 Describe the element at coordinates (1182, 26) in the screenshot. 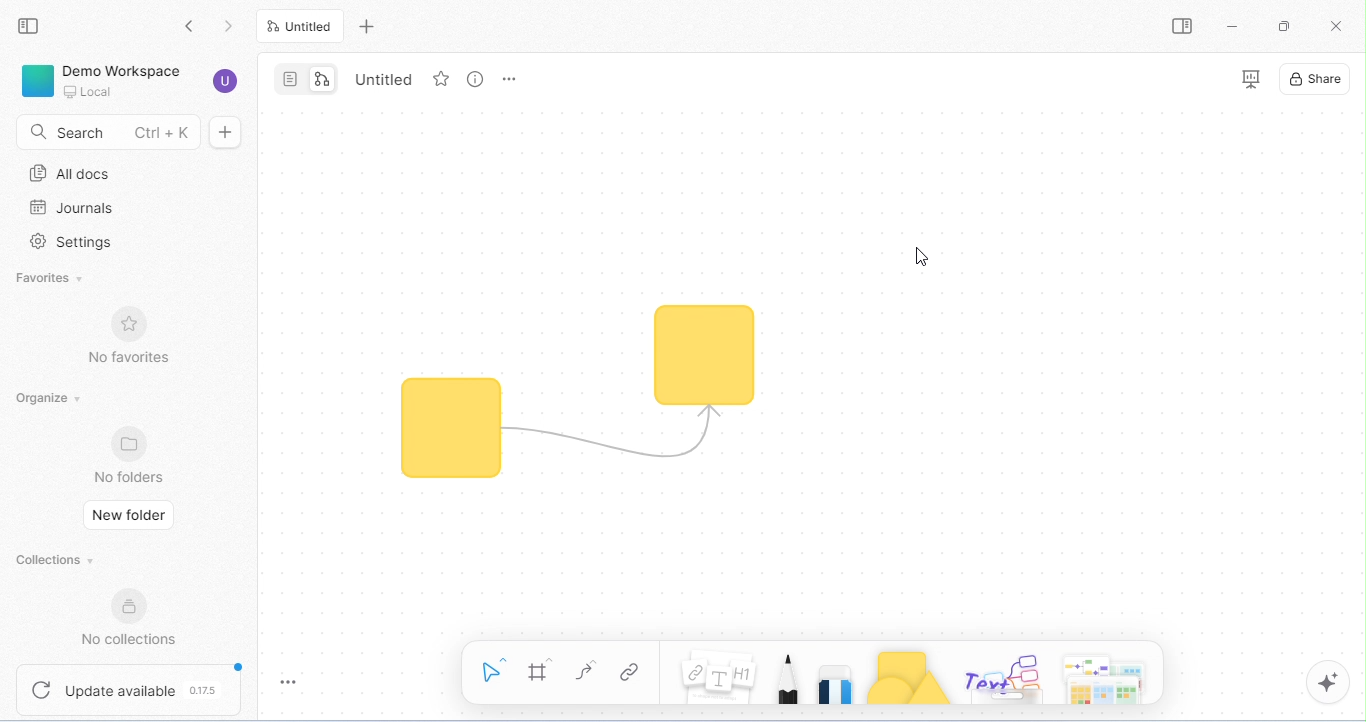

I see `open/ close side bar` at that location.